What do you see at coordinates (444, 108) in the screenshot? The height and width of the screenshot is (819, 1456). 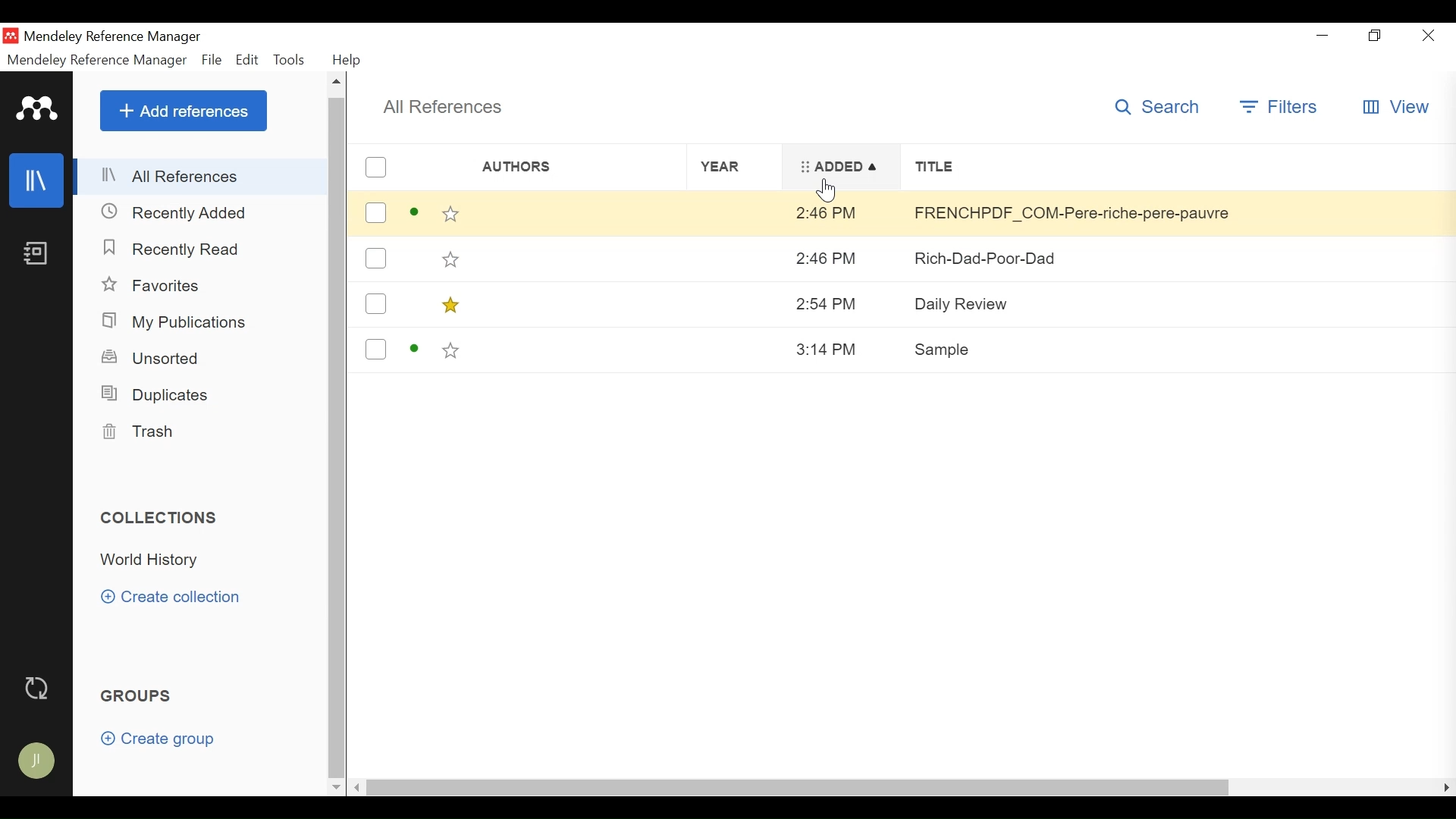 I see `All References` at bounding box center [444, 108].